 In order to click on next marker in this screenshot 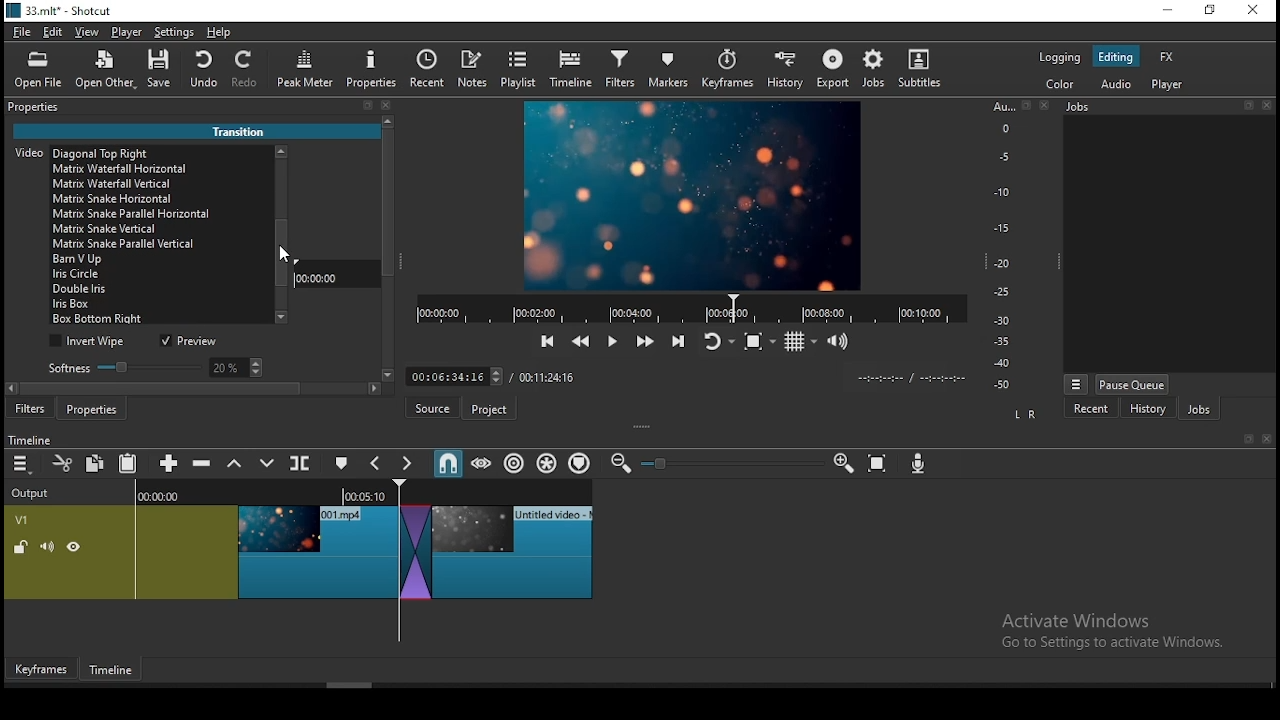, I will do `click(408, 464)`.